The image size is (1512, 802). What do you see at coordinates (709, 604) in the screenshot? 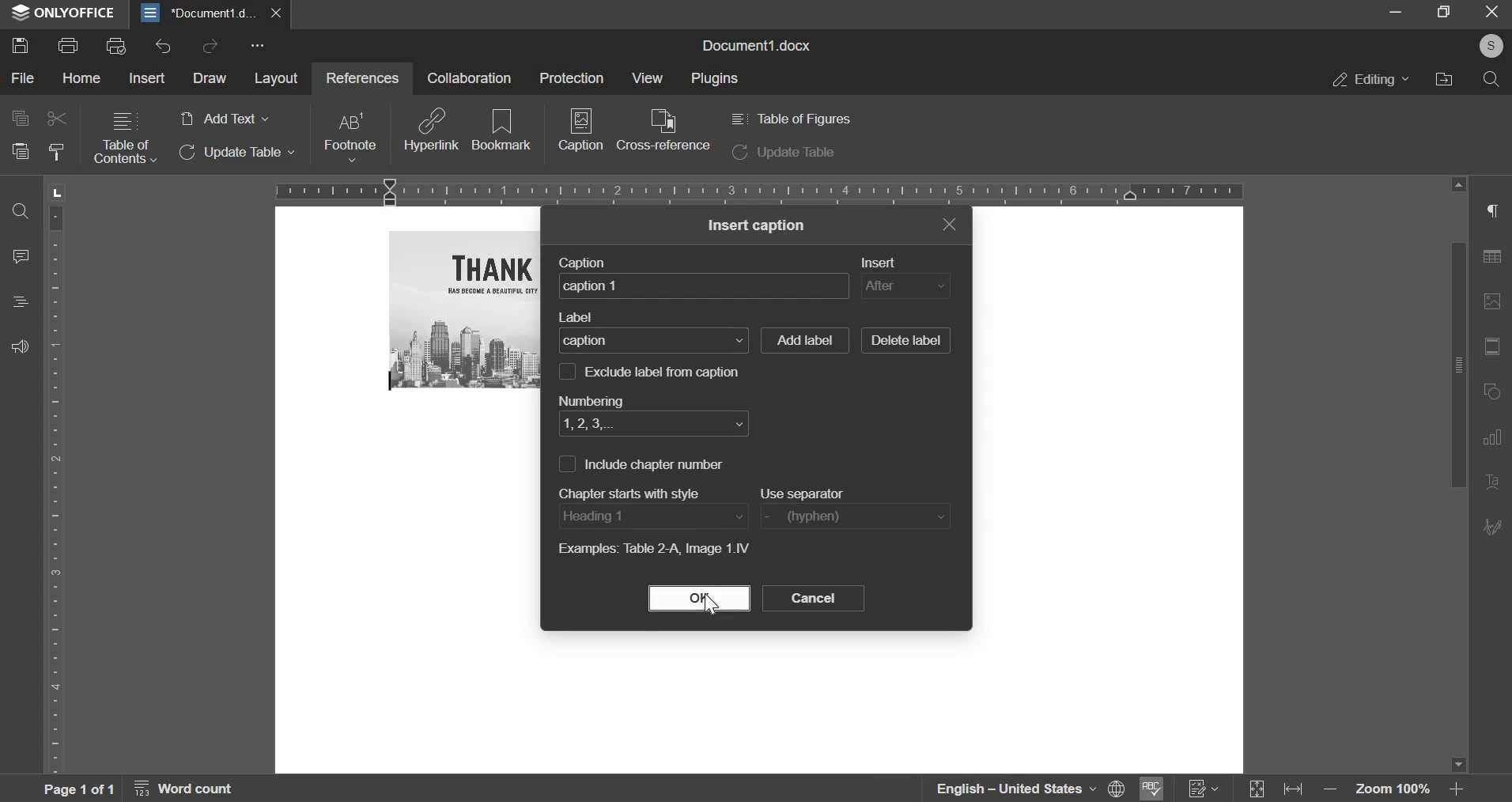
I see `Cursor` at bounding box center [709, 604].